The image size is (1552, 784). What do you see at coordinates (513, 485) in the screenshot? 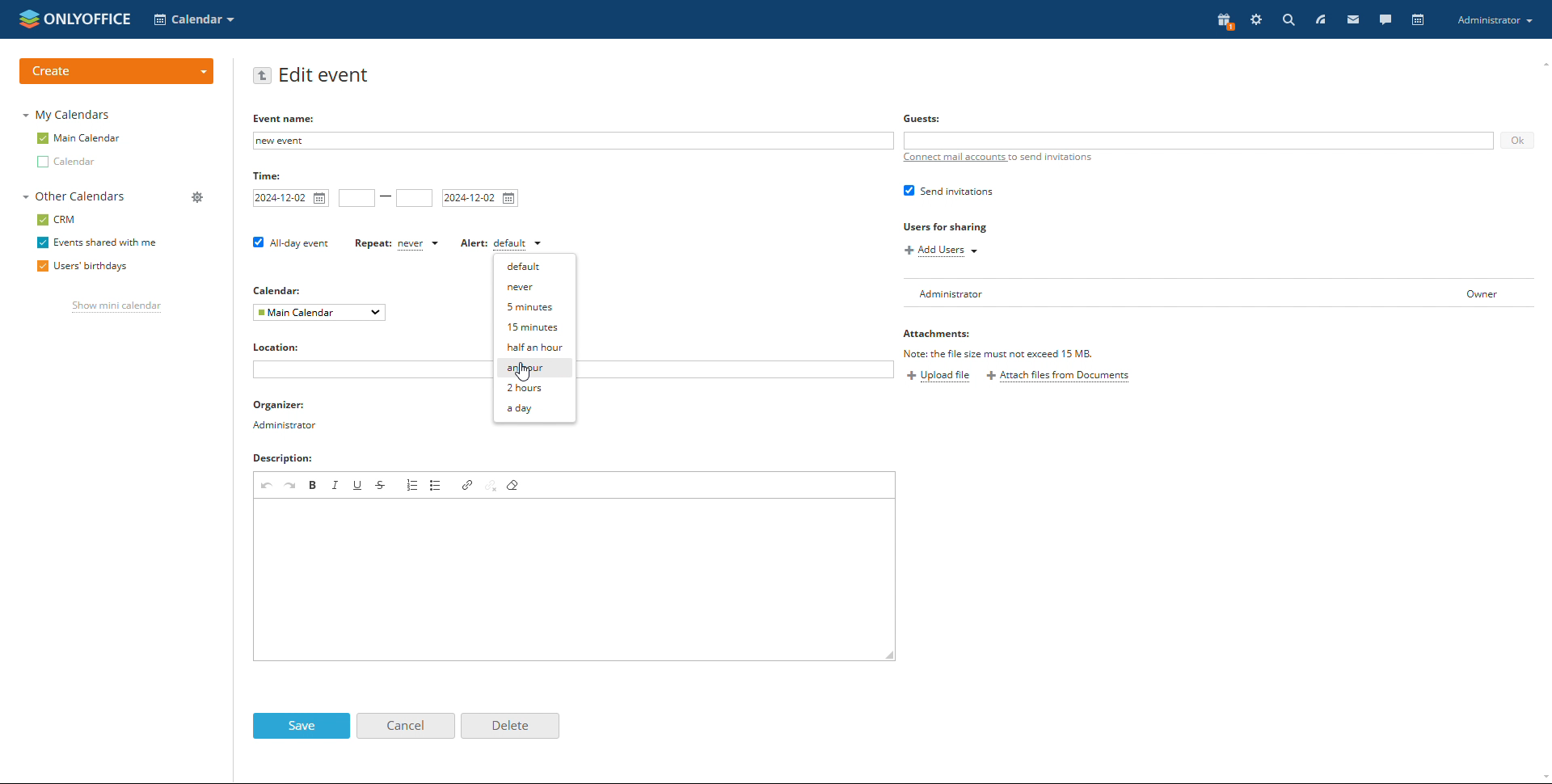
I see `remove format` at bounding box center [513, 485].